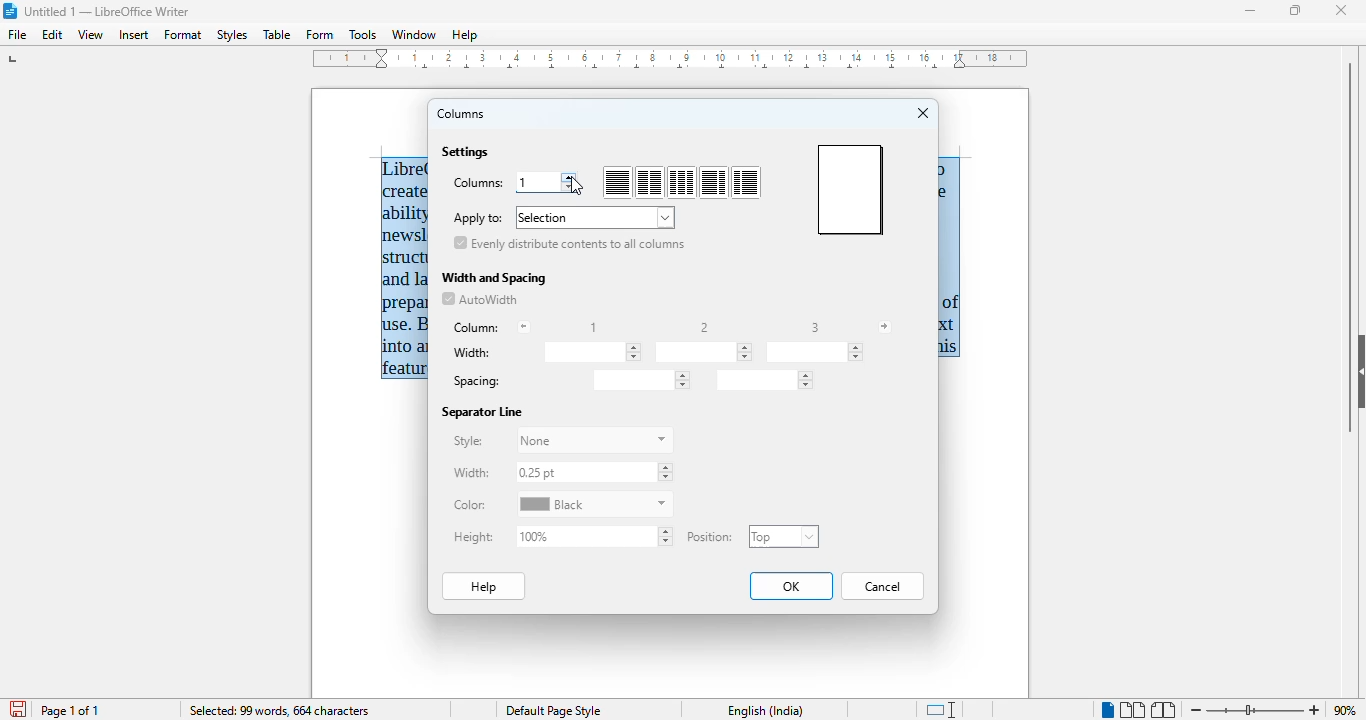 The width and height of the screenshot is (1366, 720). What do you see at coordinates (593, 472) in the screenshot?
I see `0.25 pt` at bounding box center [593, 472].